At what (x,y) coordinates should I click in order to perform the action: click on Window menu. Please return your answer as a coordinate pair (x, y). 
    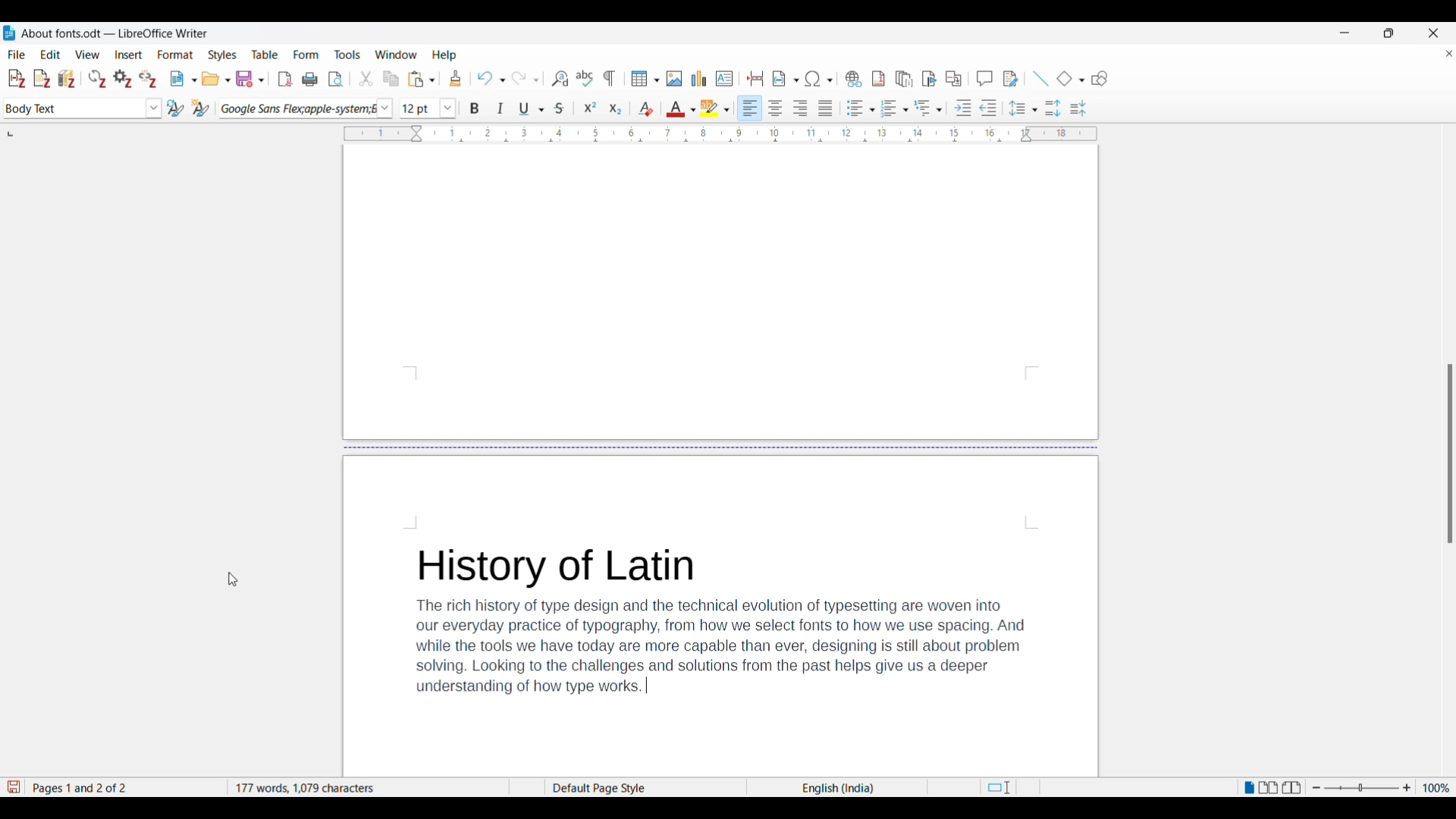
    Looking at the image, I should click on (397, 55).